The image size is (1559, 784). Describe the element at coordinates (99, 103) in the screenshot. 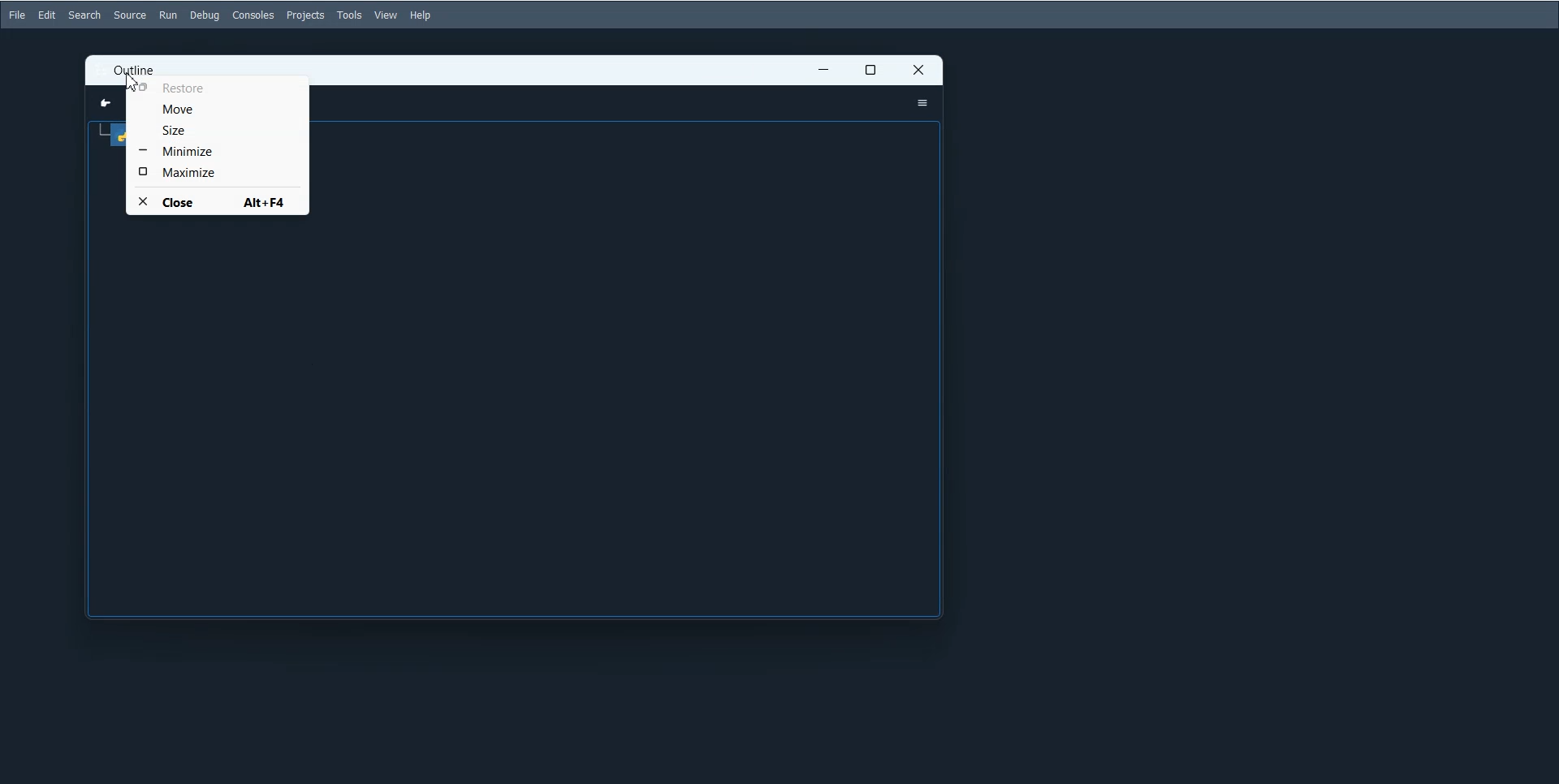

I see `go to cursor position` at that location.